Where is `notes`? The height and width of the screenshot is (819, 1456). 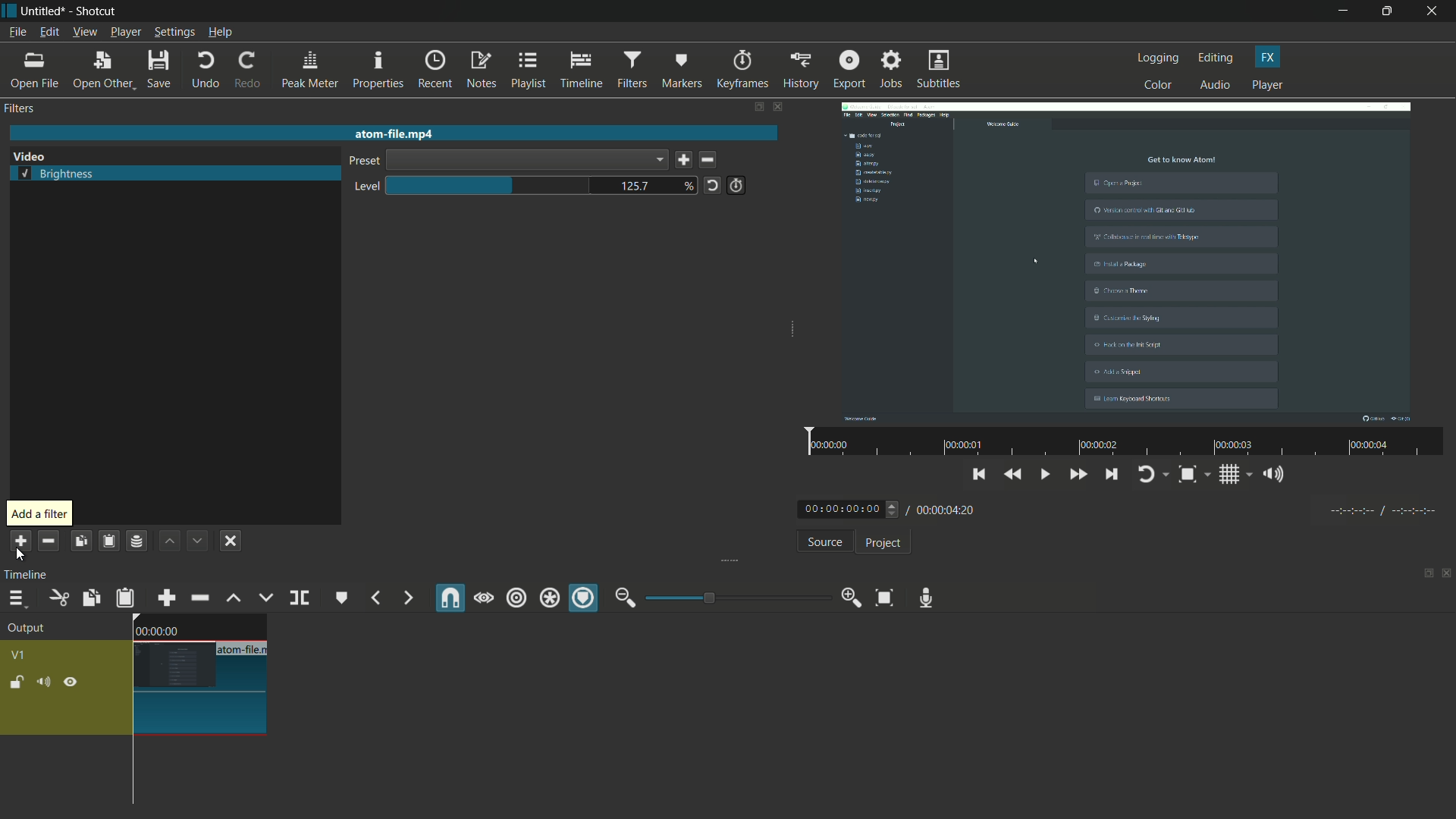
notes is located at coordinates (483, 71).